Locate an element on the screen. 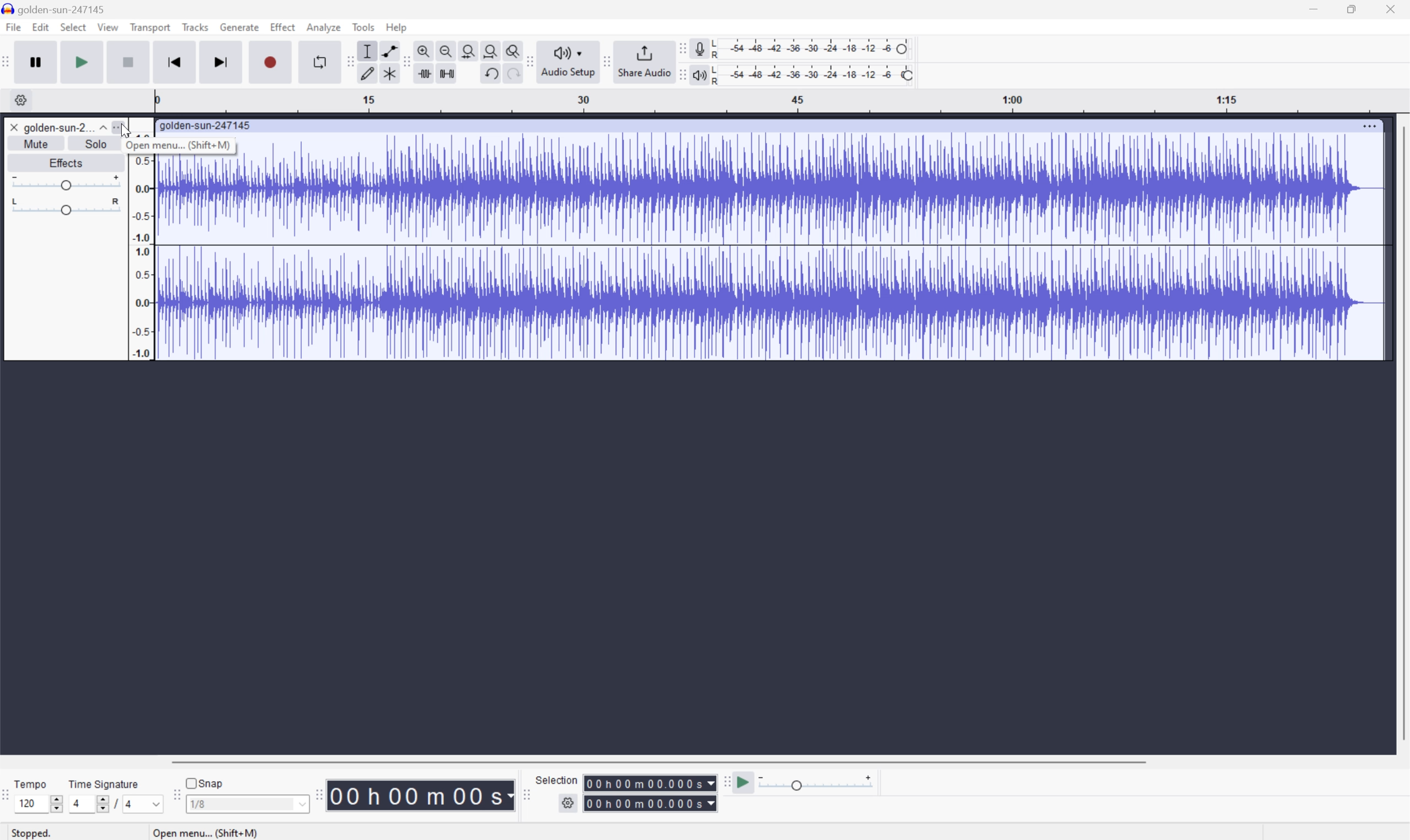  Selection tool is located at coordinates (369, 51).